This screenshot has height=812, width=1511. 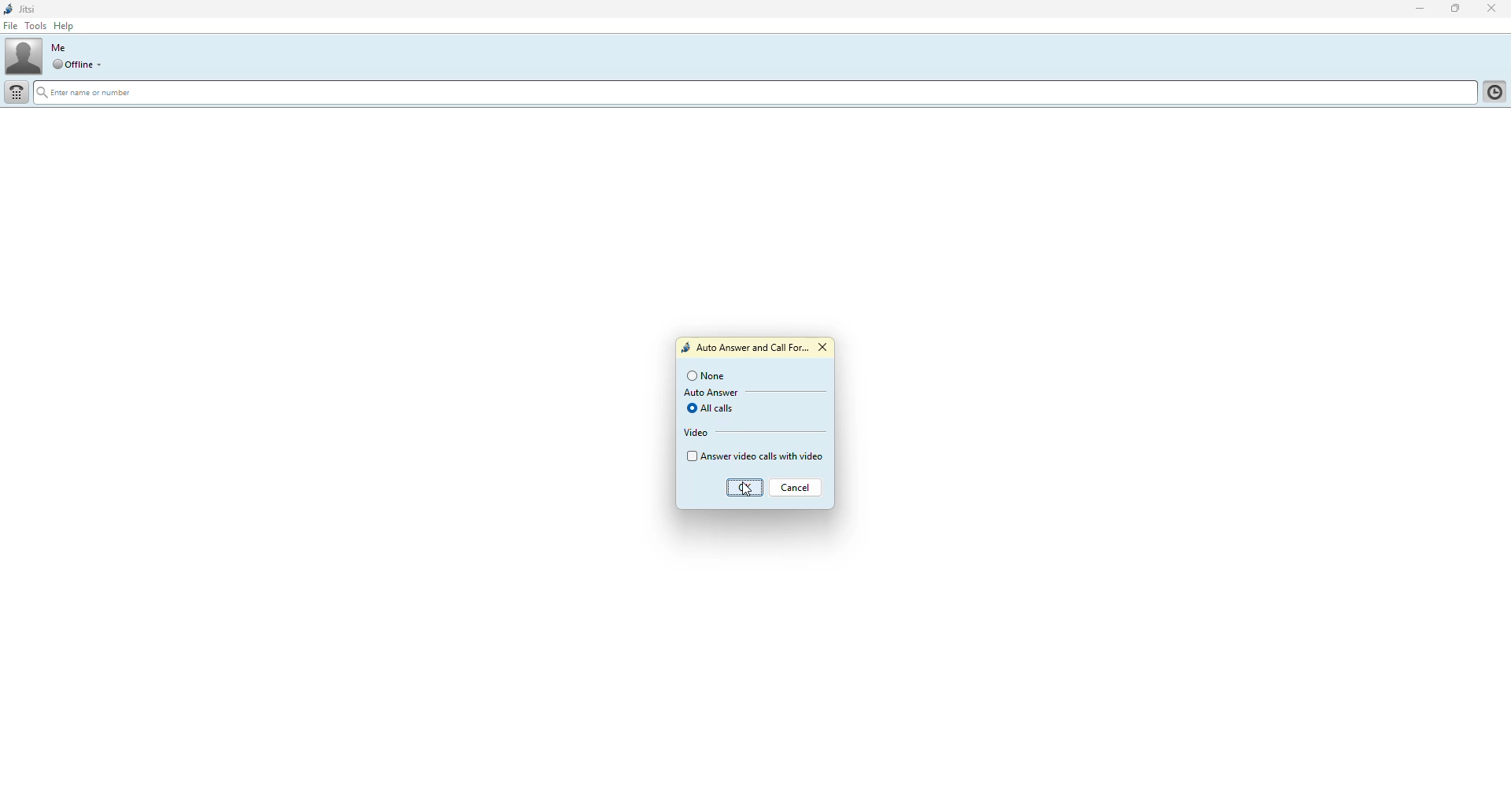 I want to click on close, so click(x=826, y=348).